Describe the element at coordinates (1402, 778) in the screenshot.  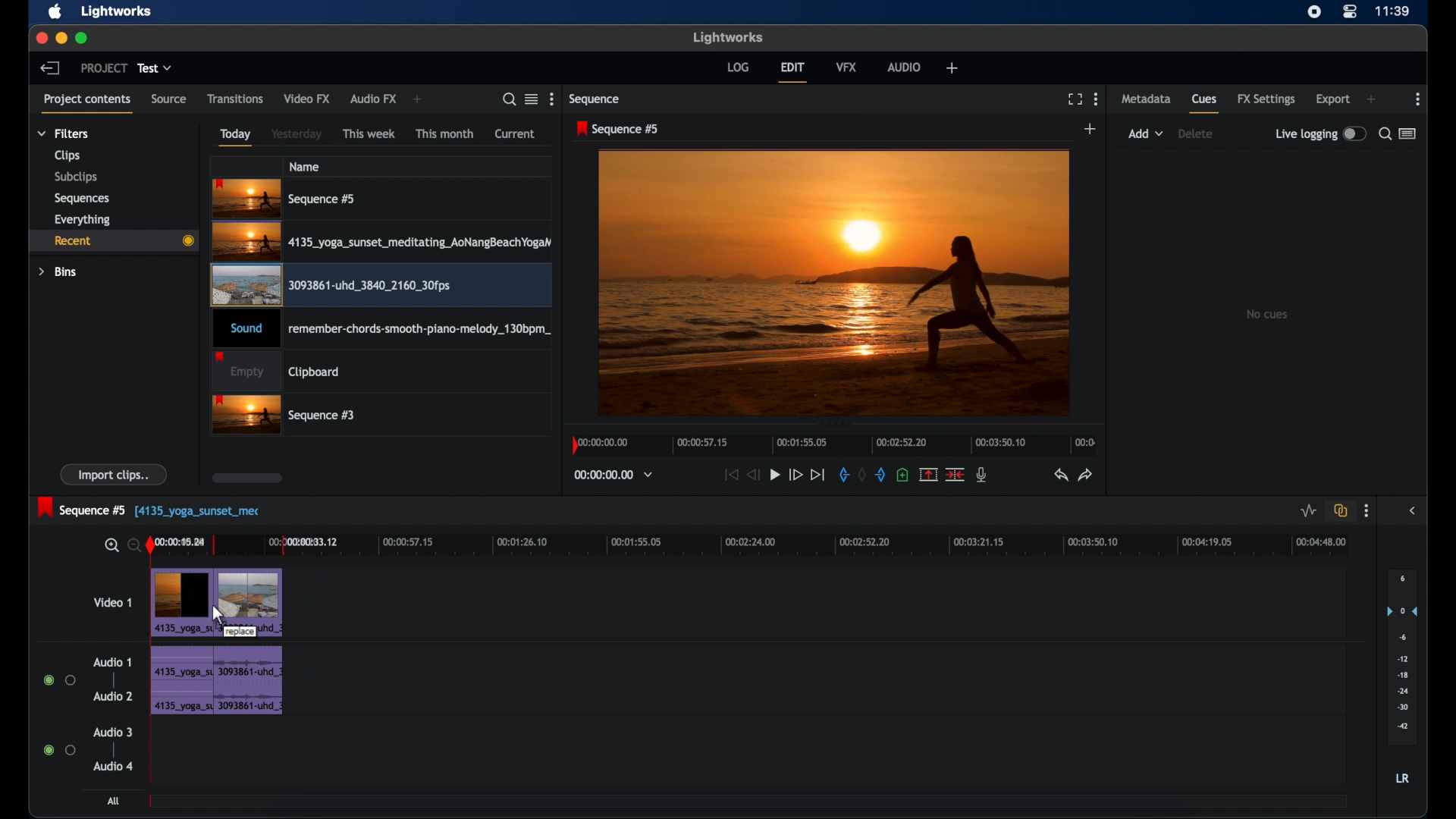
I see `LR` at that location.